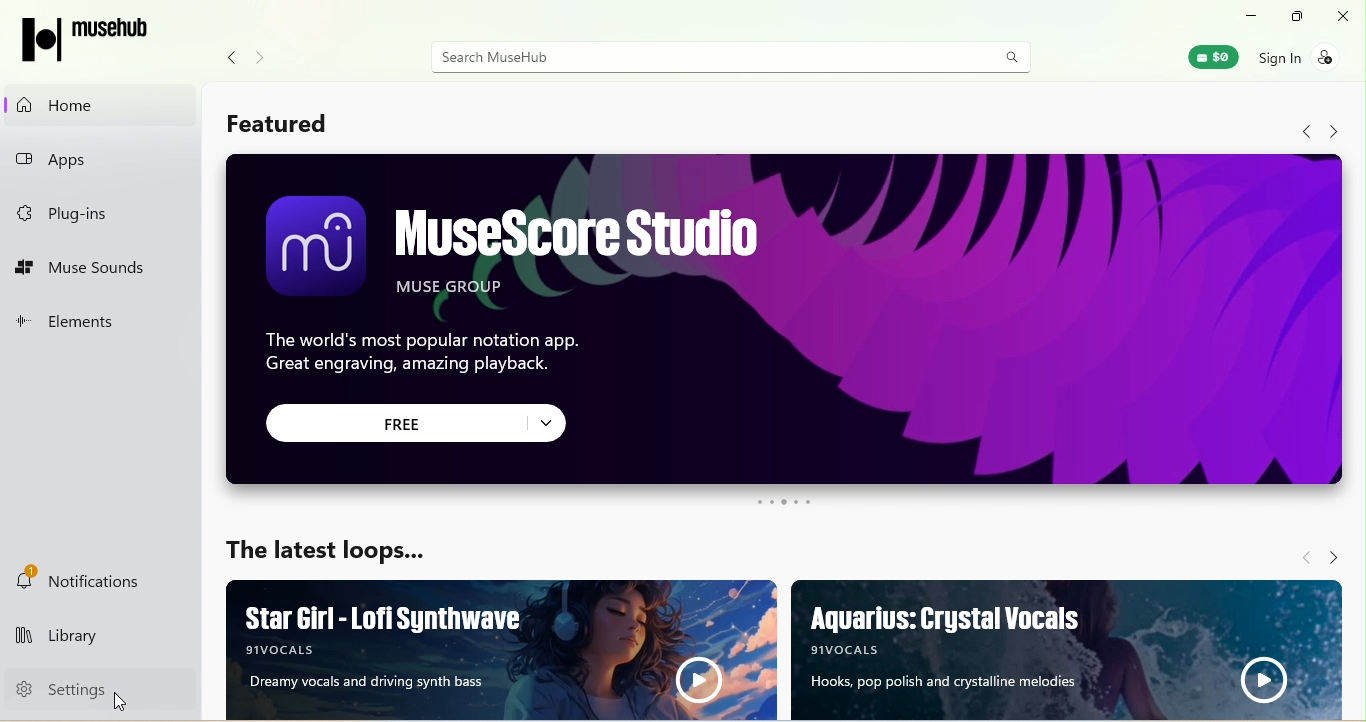 The width and height of the screenshot is (1366, 722). Describe the element at coordinates (1339, 19) in the screenshot. I see `Close` at that location.